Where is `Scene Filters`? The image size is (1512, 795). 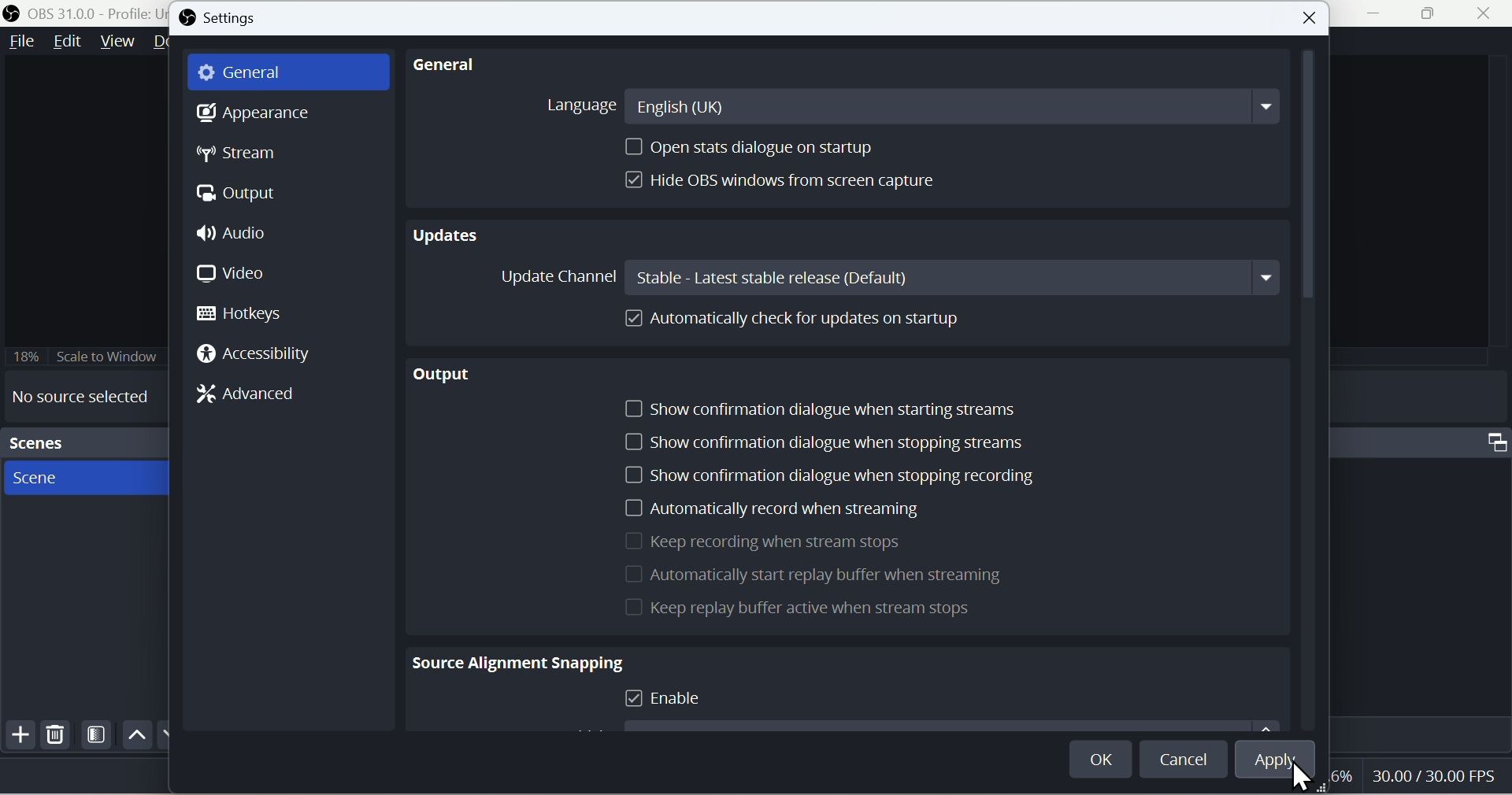
Scene Filters is located at coordinates (98, 733).